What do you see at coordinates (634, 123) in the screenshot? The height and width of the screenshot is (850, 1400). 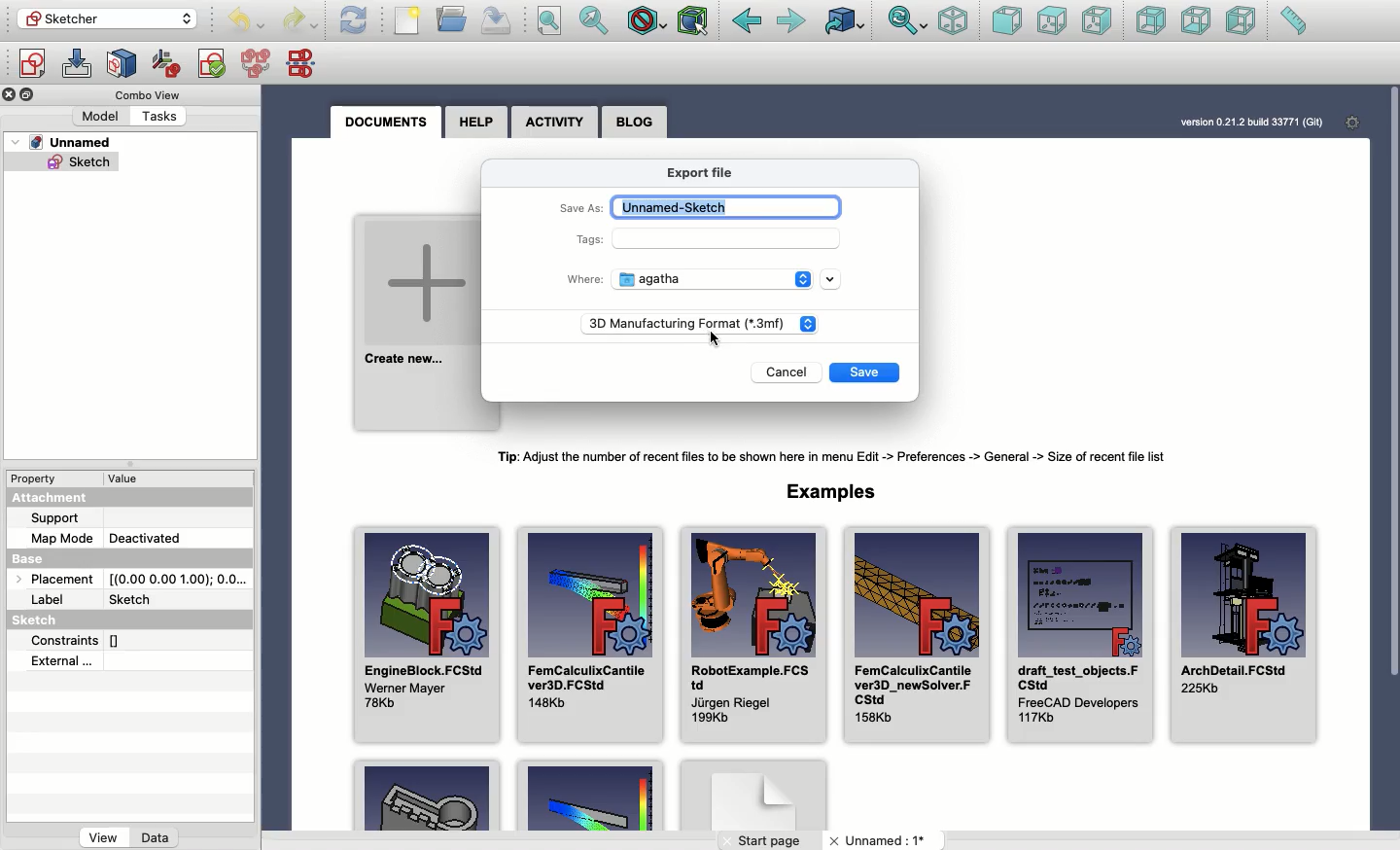 I see `Blog` at bounding box center [634, 123].